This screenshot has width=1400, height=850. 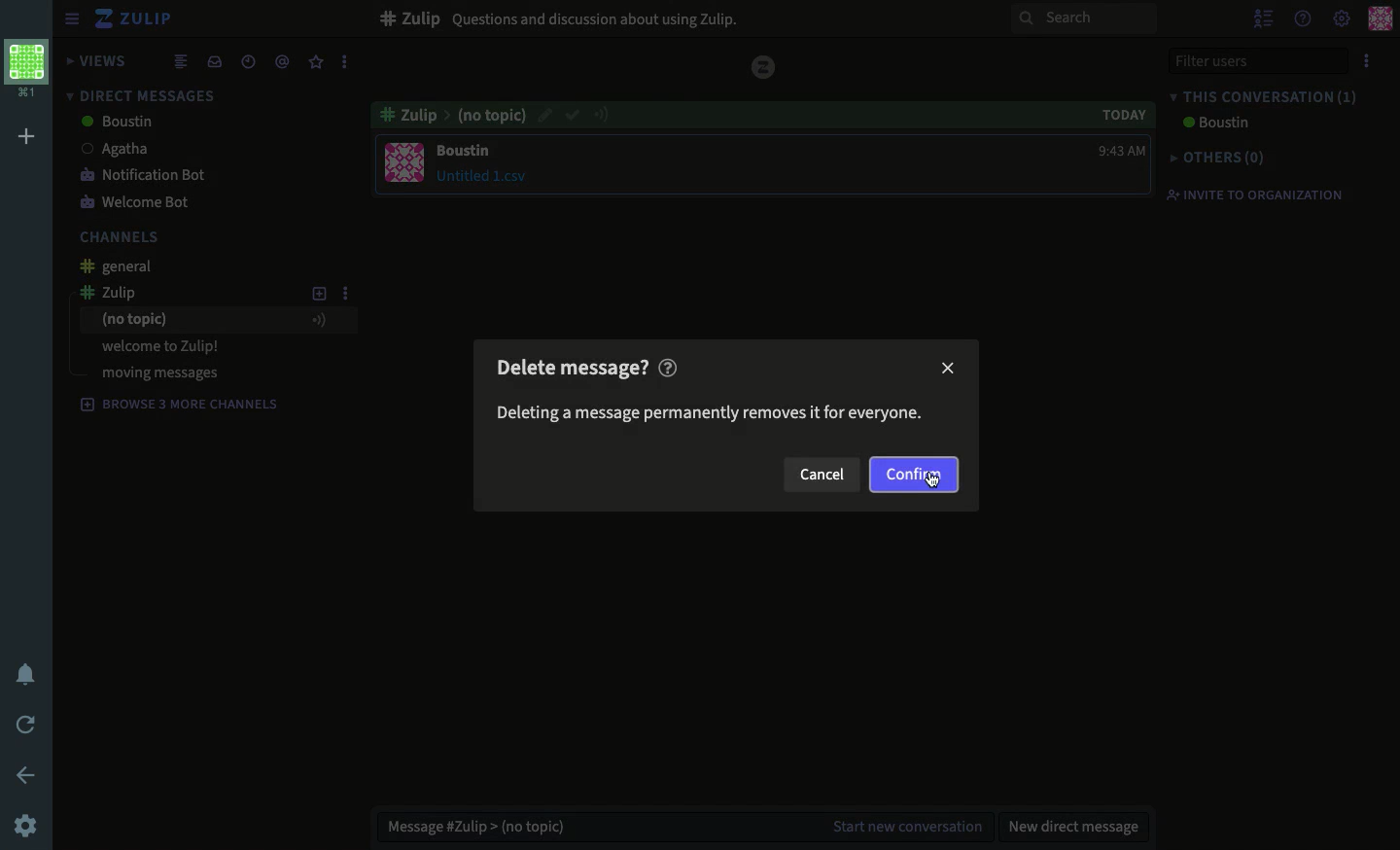 What do you see at coordinates (149, 19) in the screenshot?
I see `Zulip` at bounding box center [149, 19].